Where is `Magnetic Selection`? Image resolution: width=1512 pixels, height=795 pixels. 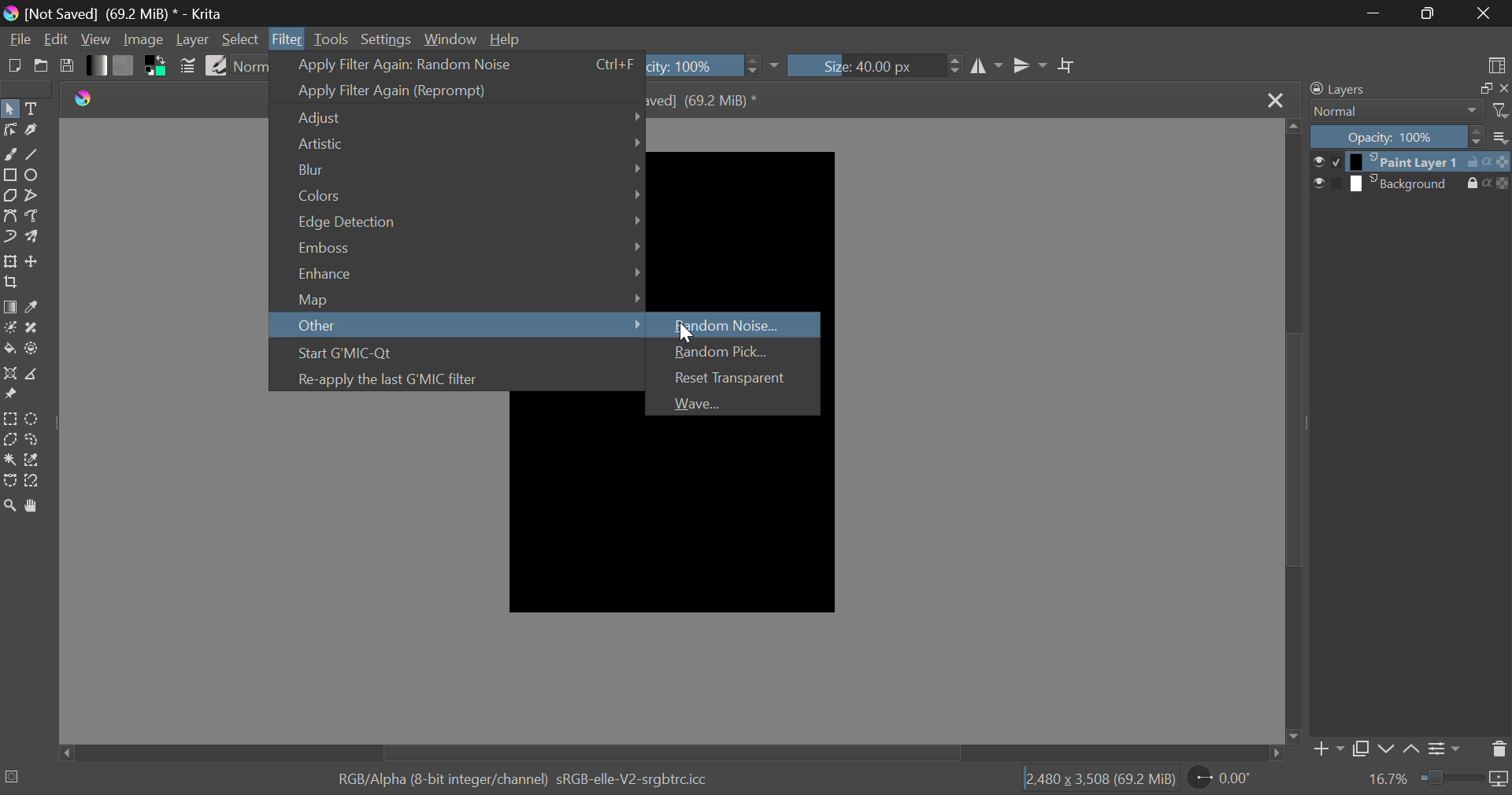 Magnetic Selection is located at coordinates (36, 481).